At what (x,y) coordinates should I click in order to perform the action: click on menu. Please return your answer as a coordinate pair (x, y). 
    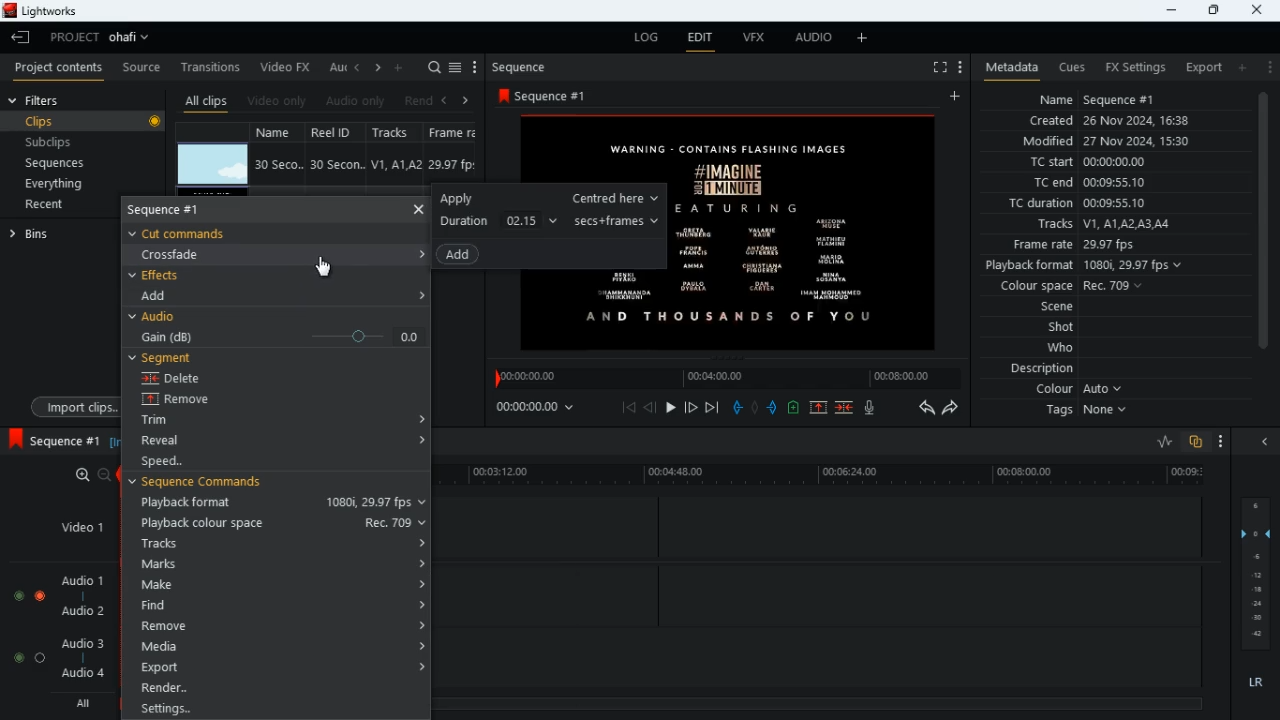
    Looking at the image, I should click on (475, 68).